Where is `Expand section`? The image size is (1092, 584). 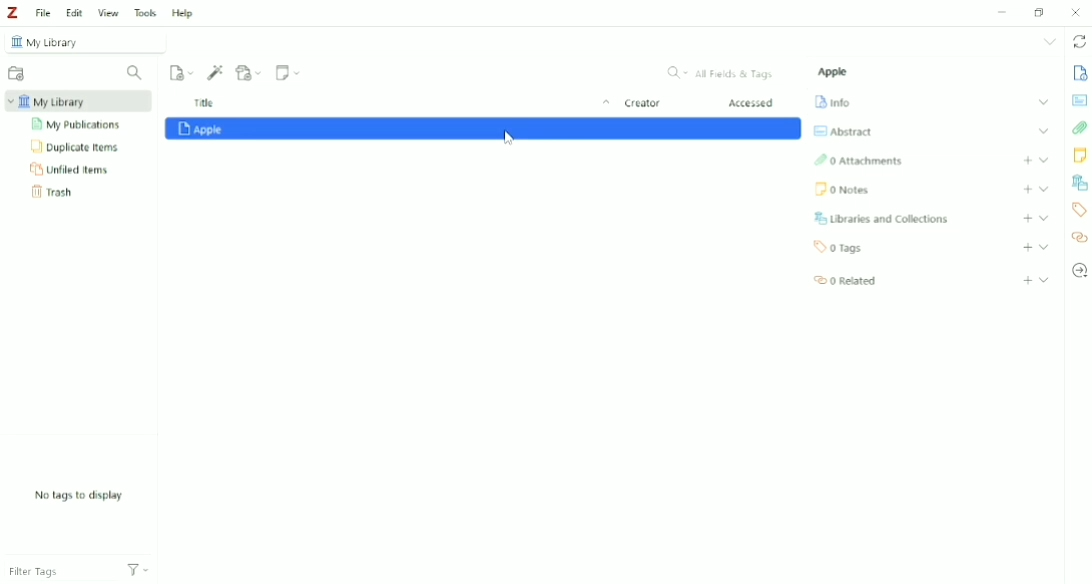 Expand section is located at coordinates (1043, 102).